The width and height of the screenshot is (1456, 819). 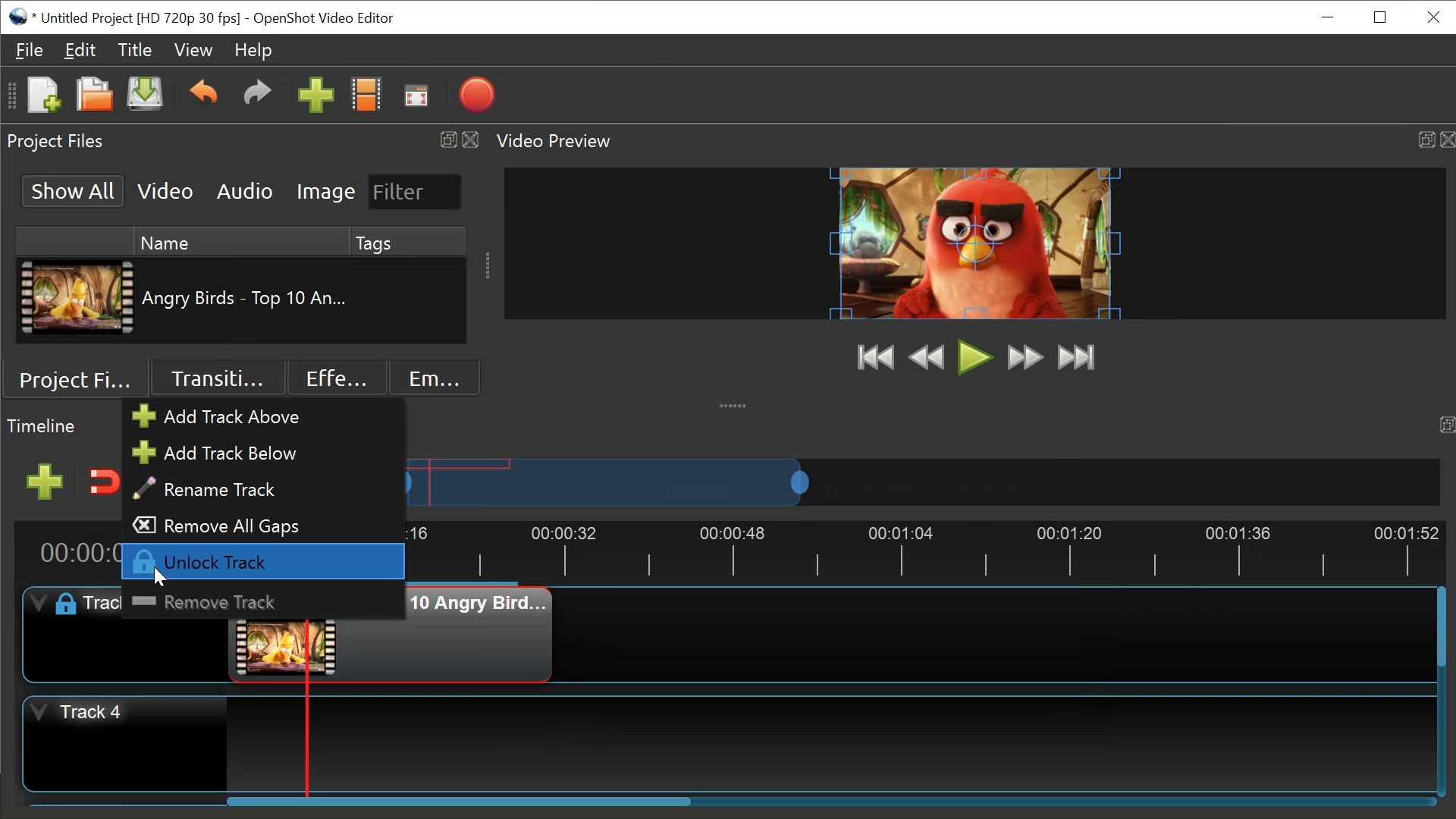 I want to click on File, so click(x=30, y=50).